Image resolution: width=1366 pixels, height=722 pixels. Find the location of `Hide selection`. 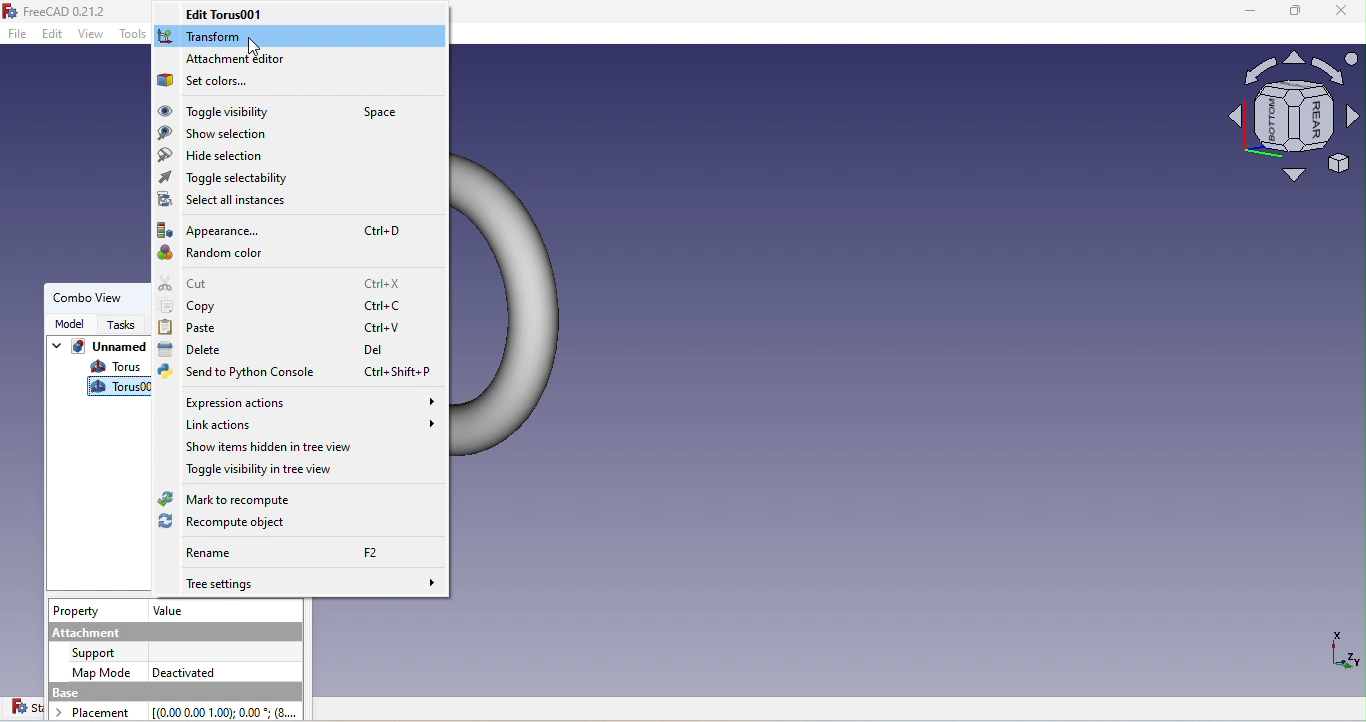

Hide selection is located at coordinates (216, 156).